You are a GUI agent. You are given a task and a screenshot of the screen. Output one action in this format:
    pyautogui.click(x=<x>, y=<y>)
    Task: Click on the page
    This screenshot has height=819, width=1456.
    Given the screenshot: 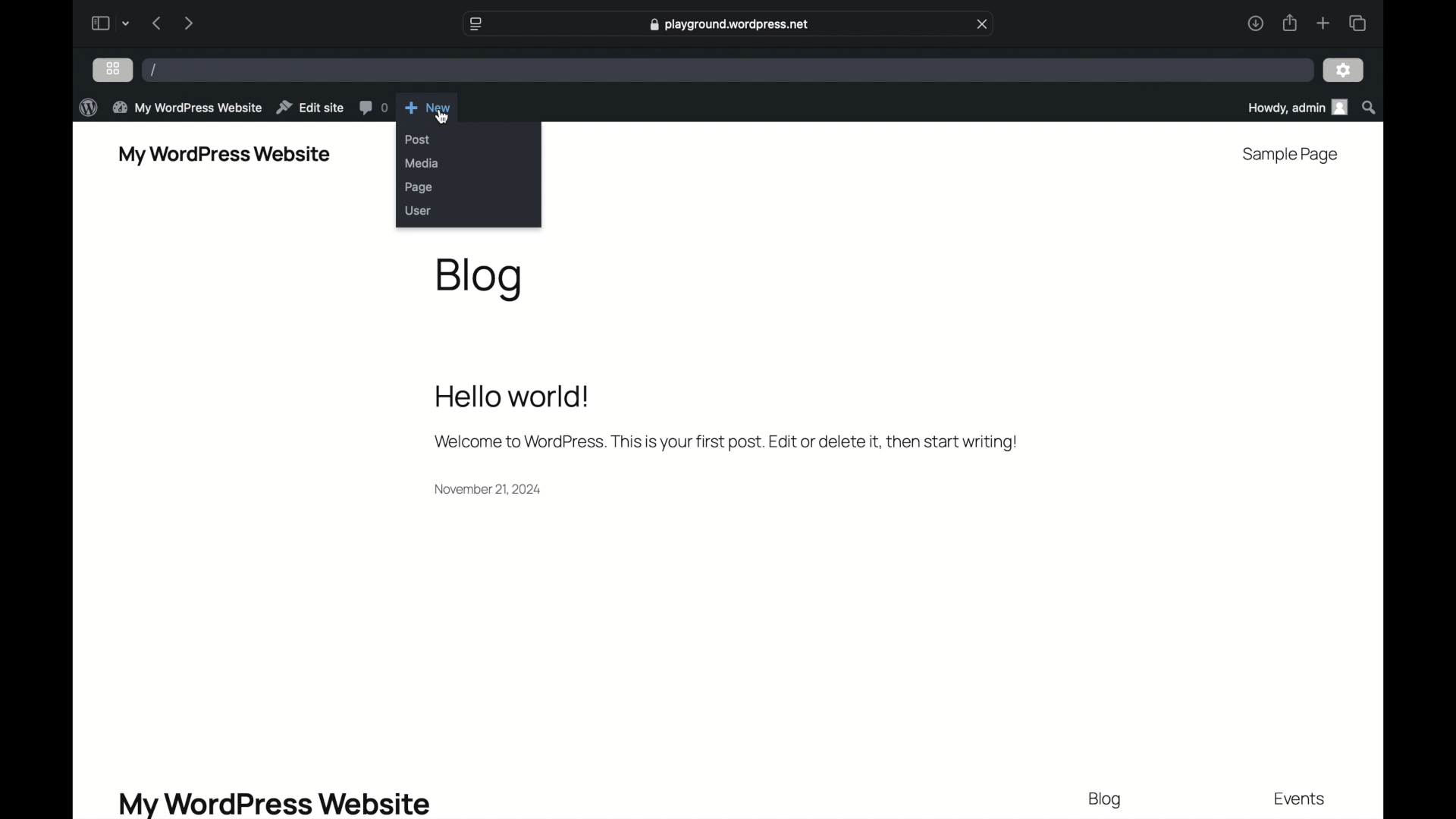 What is the action you would take?
    pyautogui.click(x=419, y=187)
    